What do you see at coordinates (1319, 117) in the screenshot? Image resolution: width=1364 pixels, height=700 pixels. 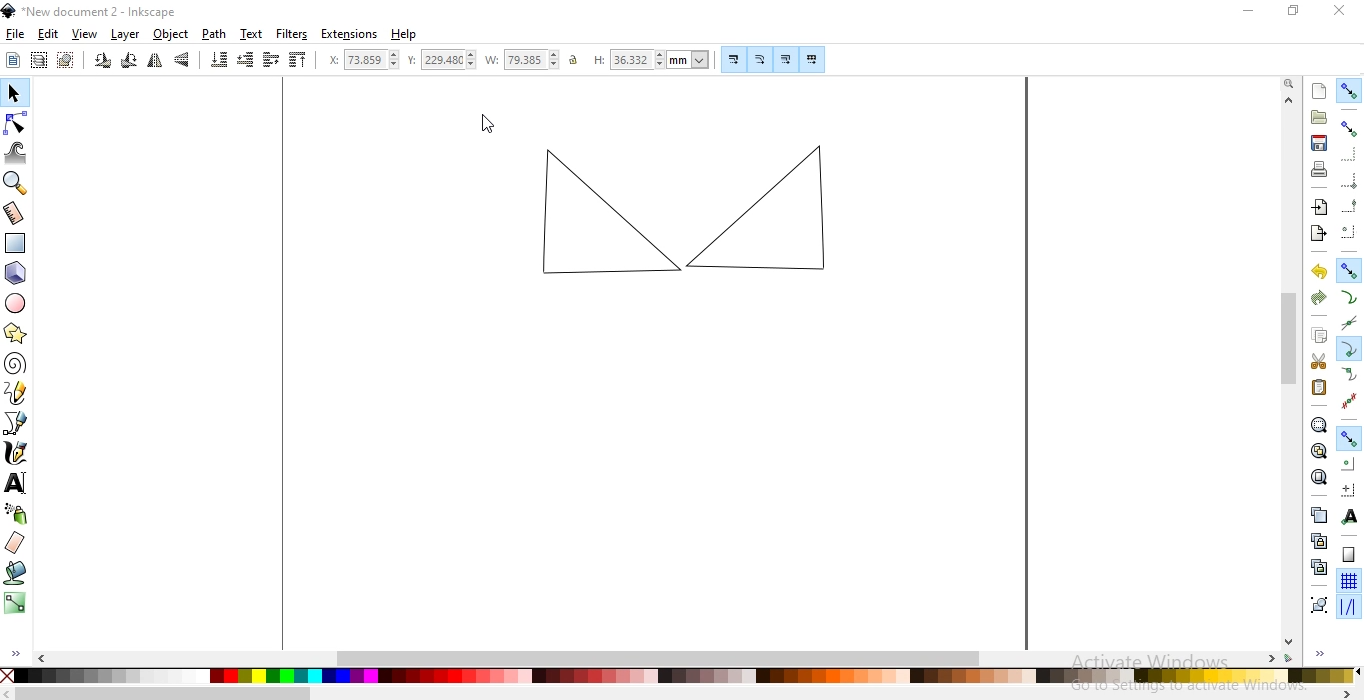 I see `open an existing document` at bounding box center [1319, 117].